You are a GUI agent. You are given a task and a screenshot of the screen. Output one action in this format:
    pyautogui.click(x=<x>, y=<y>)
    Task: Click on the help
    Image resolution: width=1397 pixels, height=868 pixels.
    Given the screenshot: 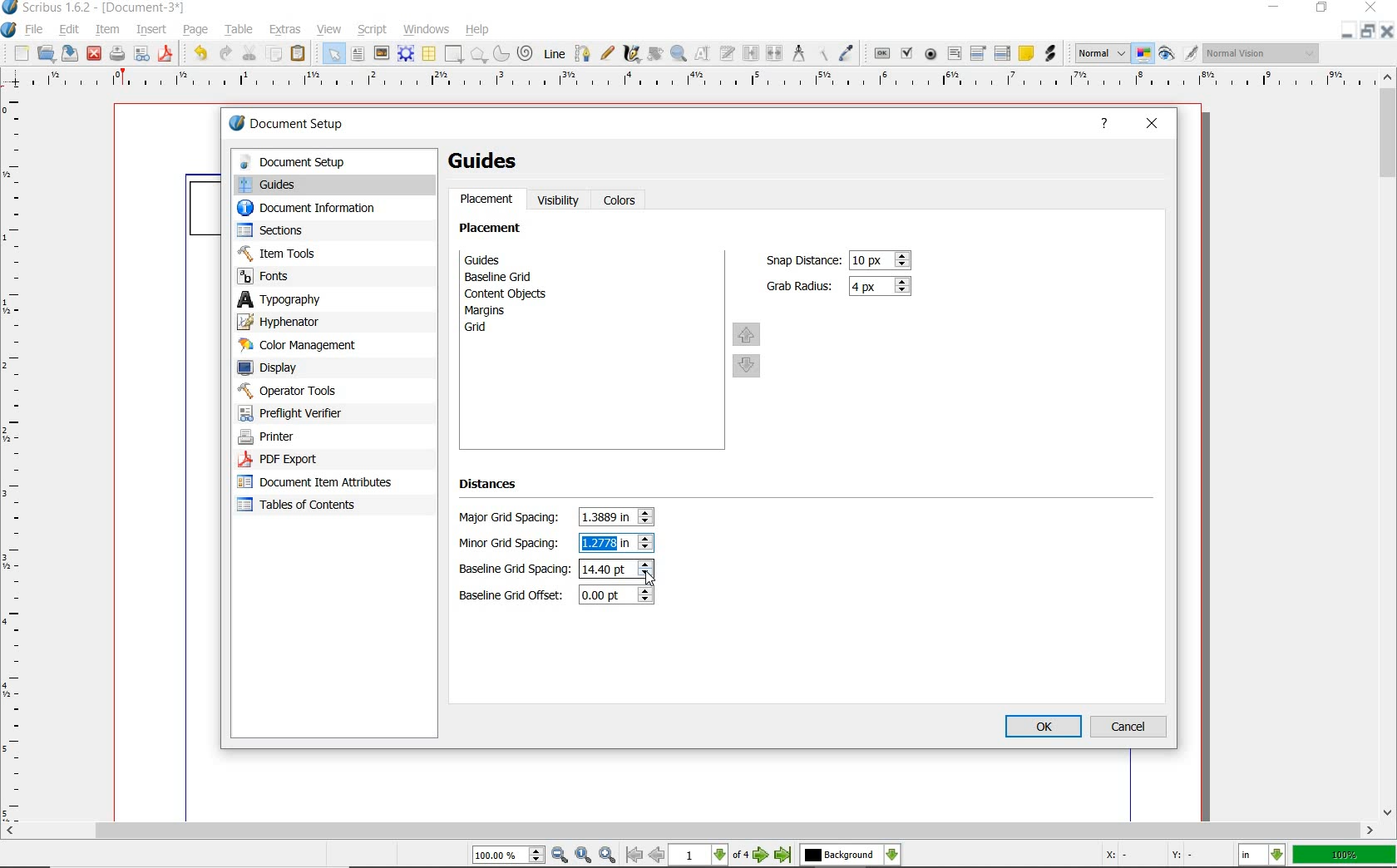 What is the action you would take?
    pyautogui.click(x=1105, y=126)
    